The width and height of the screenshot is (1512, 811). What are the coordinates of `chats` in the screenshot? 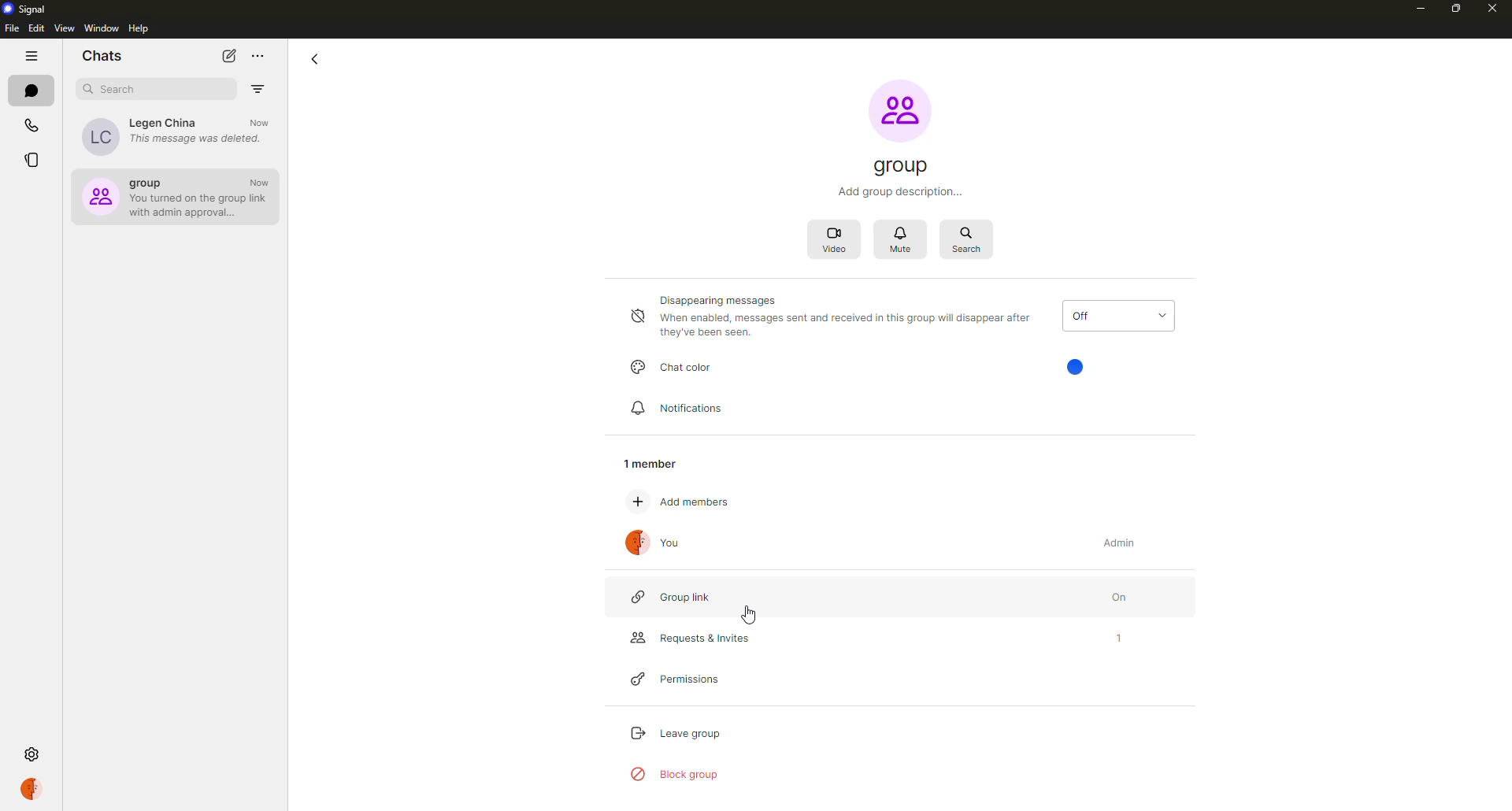 It's located at (102, 54).